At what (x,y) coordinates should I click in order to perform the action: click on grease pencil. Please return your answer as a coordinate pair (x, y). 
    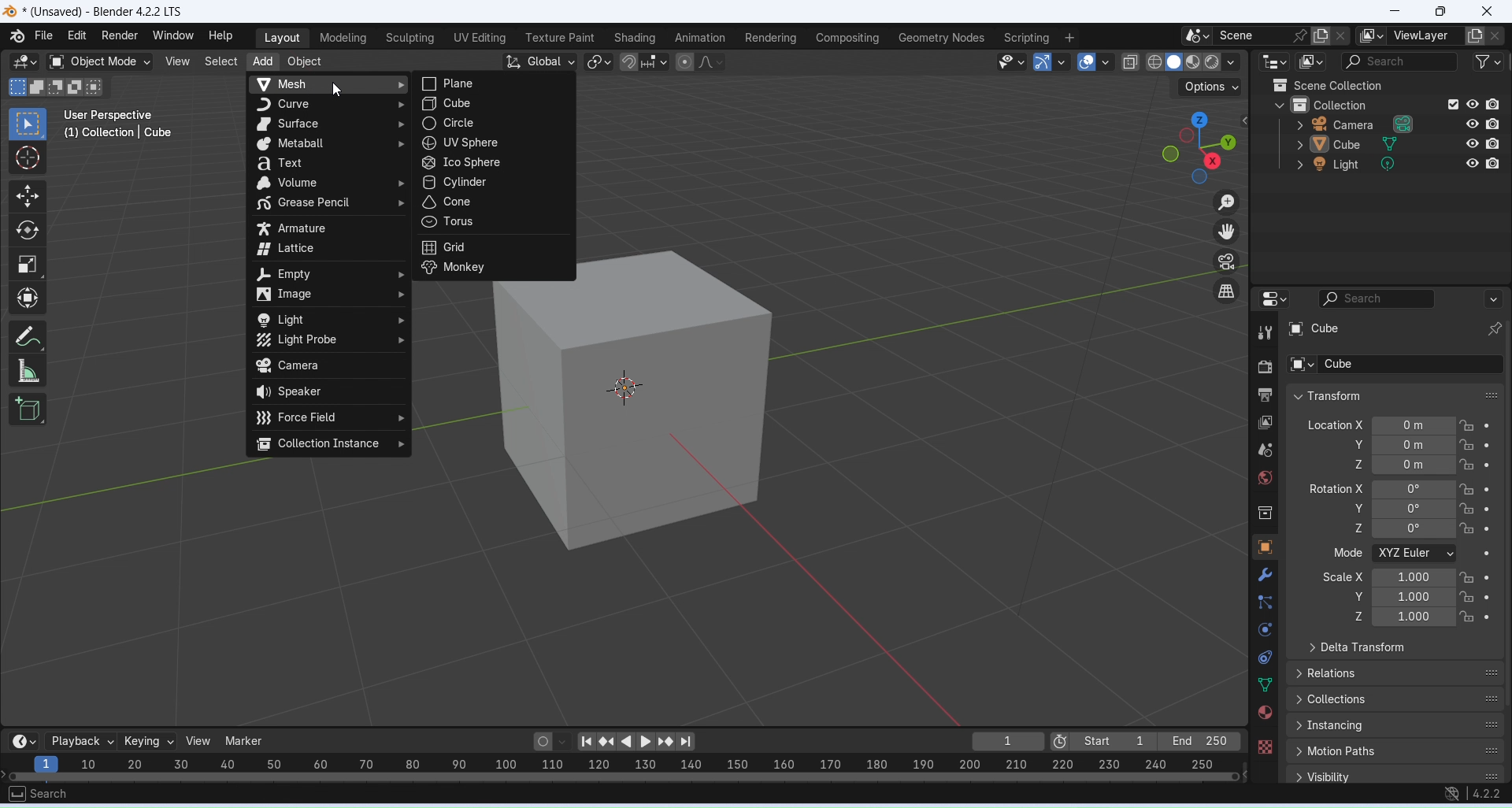
    Looking at the image, I should click on (329, 203).